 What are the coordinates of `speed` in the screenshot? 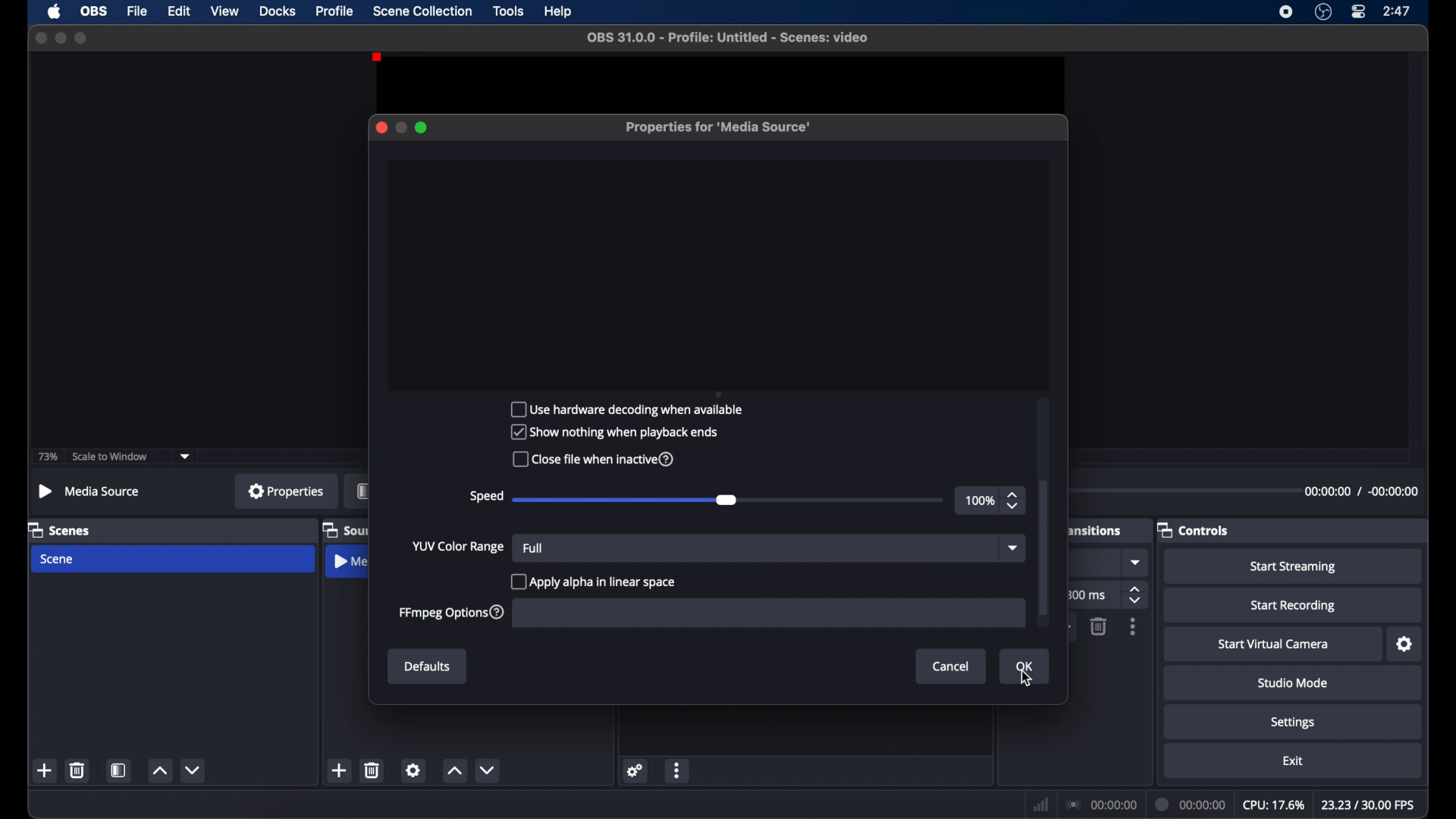 It's located at (486, 497).